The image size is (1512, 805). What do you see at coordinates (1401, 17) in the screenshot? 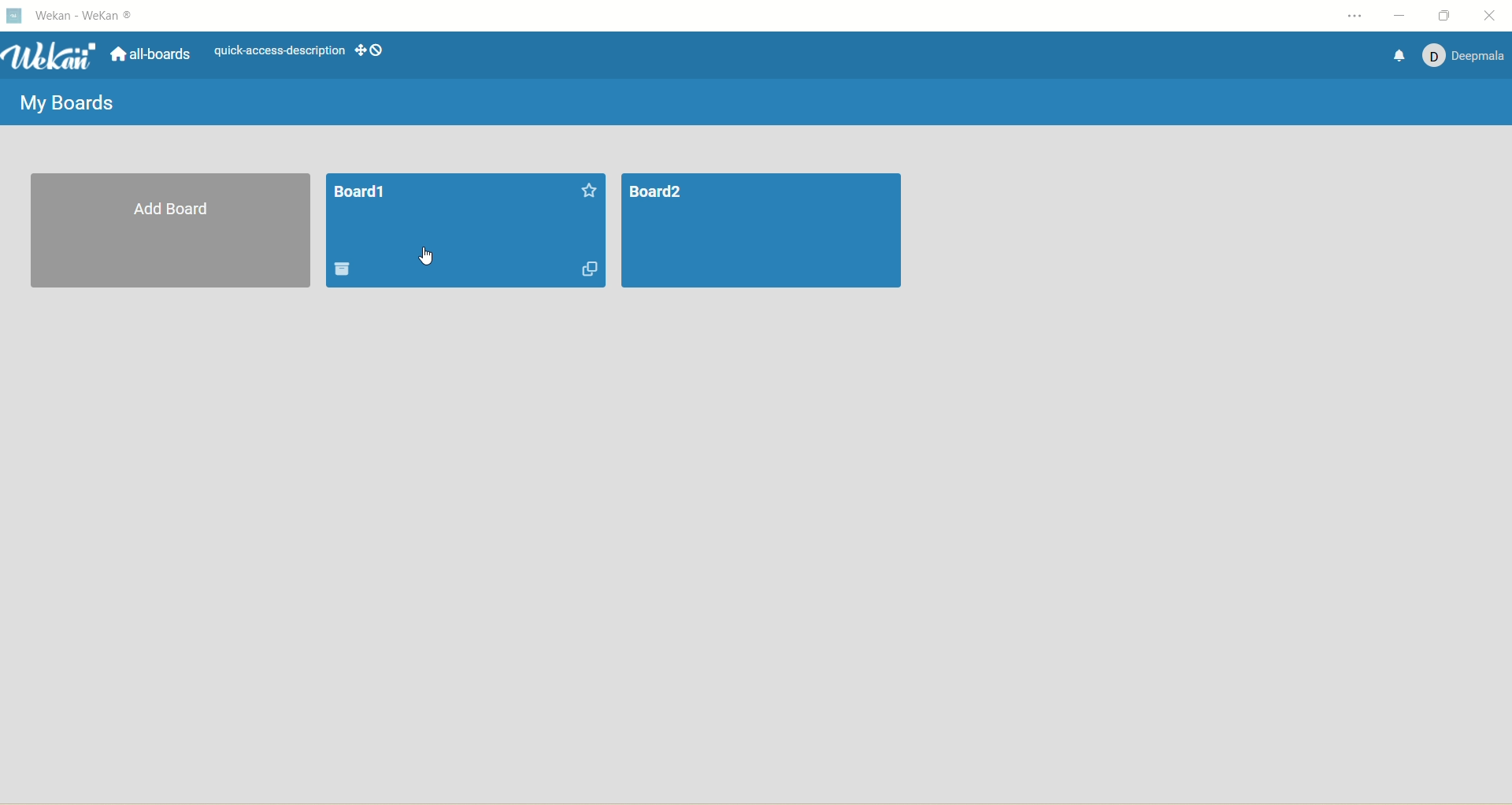
I see `minimize` at bounding box center [1401, 17].